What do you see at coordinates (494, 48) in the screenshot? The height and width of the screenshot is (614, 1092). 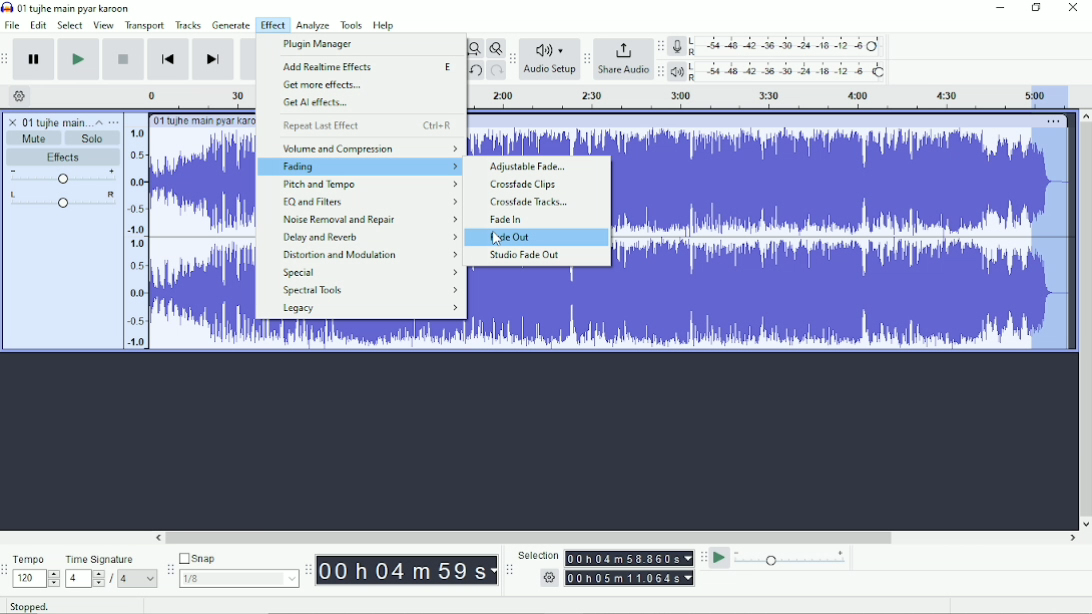 I see `Zoom toggle` at bounding box center [494, 48].